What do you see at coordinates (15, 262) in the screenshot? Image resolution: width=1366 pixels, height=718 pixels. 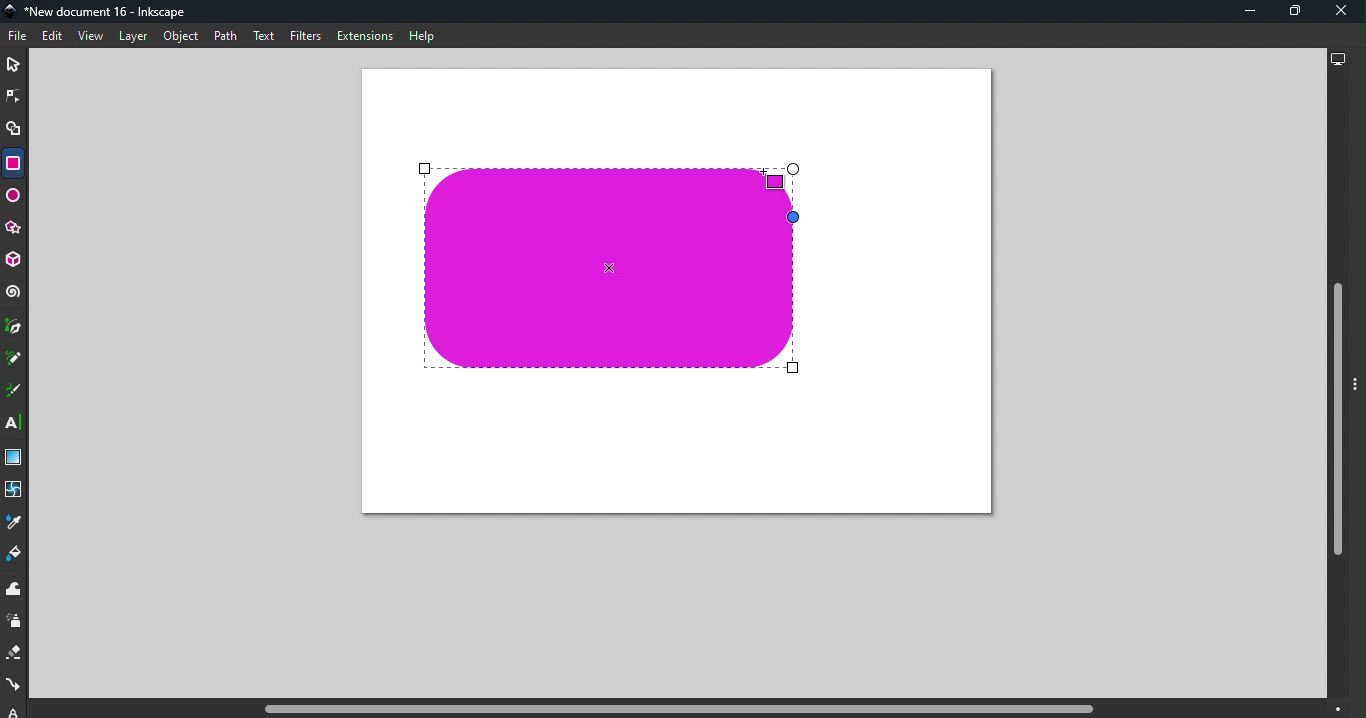 I see `3D box tool` at bounding box center [15, 262].